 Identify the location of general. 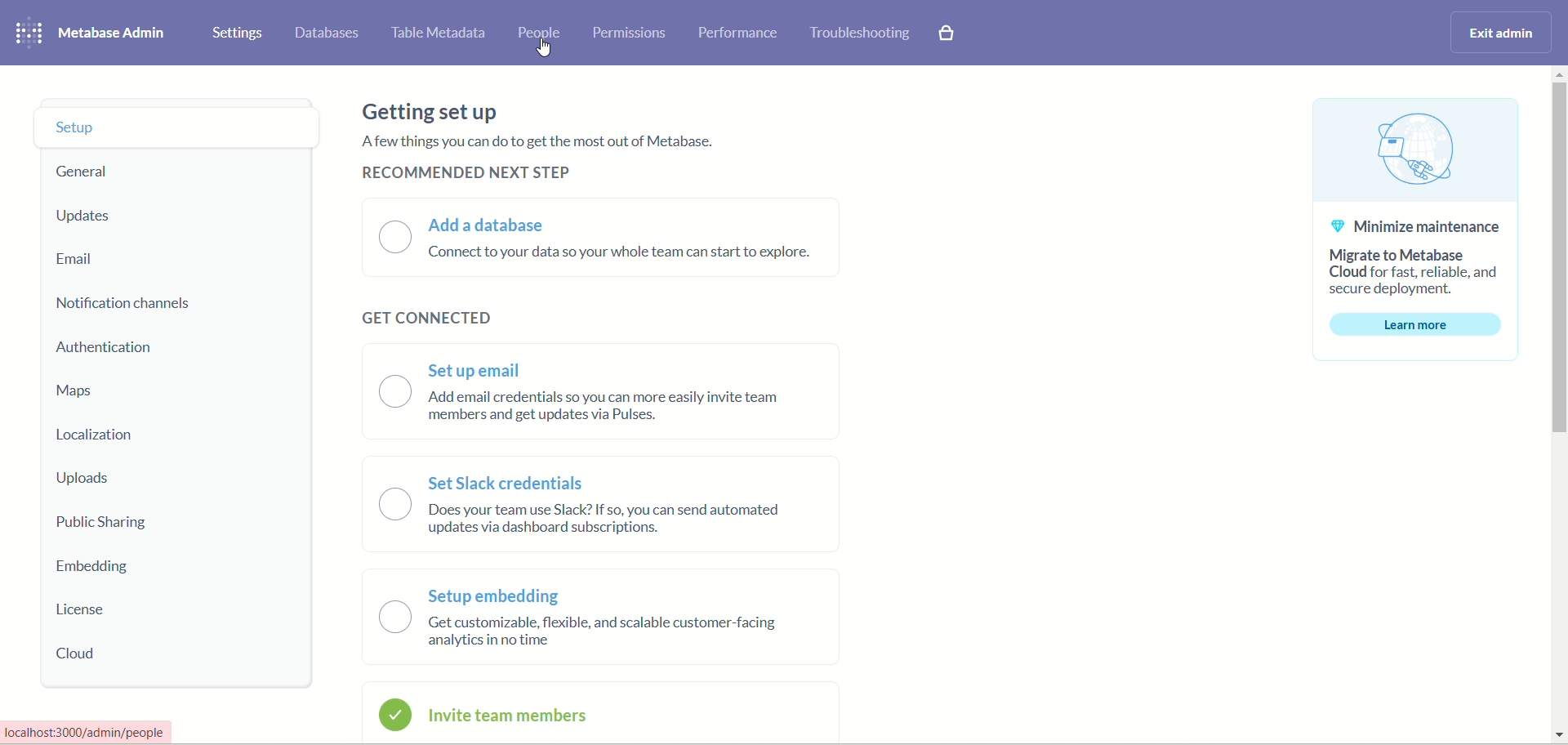
(92, 175).